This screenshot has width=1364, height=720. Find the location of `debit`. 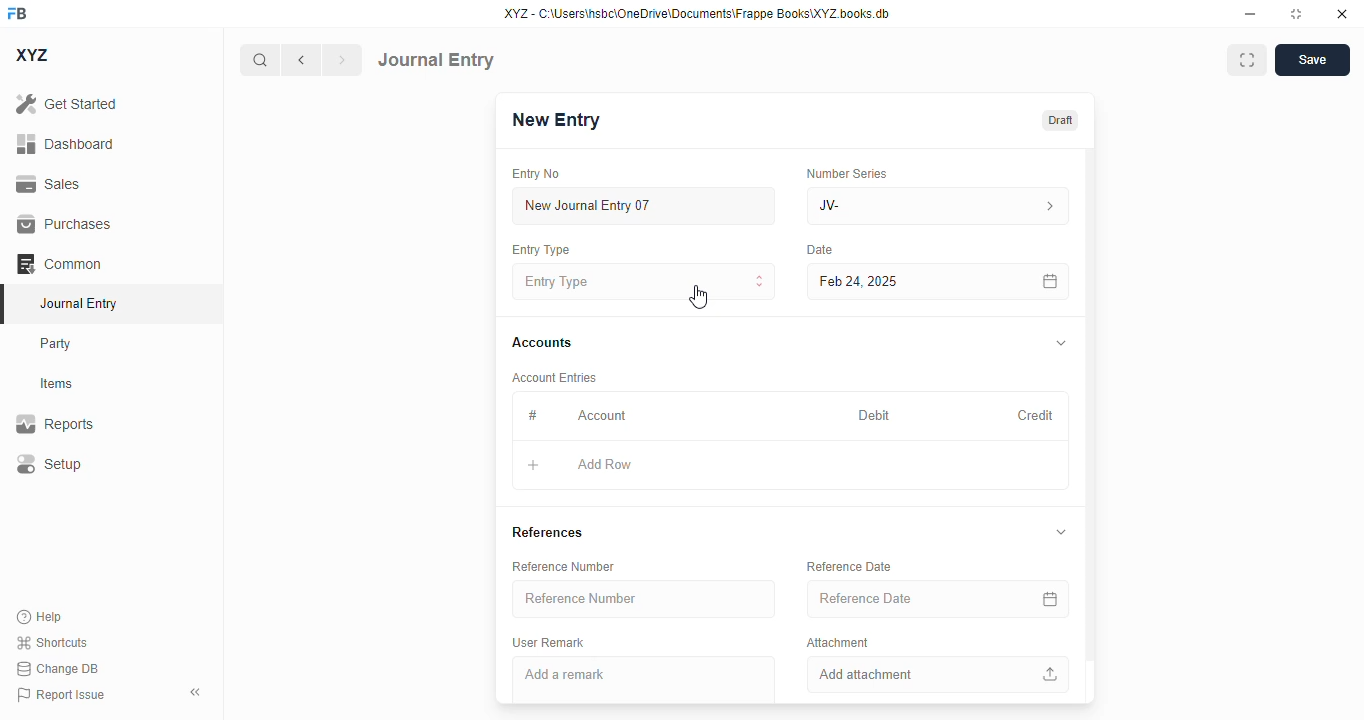

debit is located at coordinates (875, 415).